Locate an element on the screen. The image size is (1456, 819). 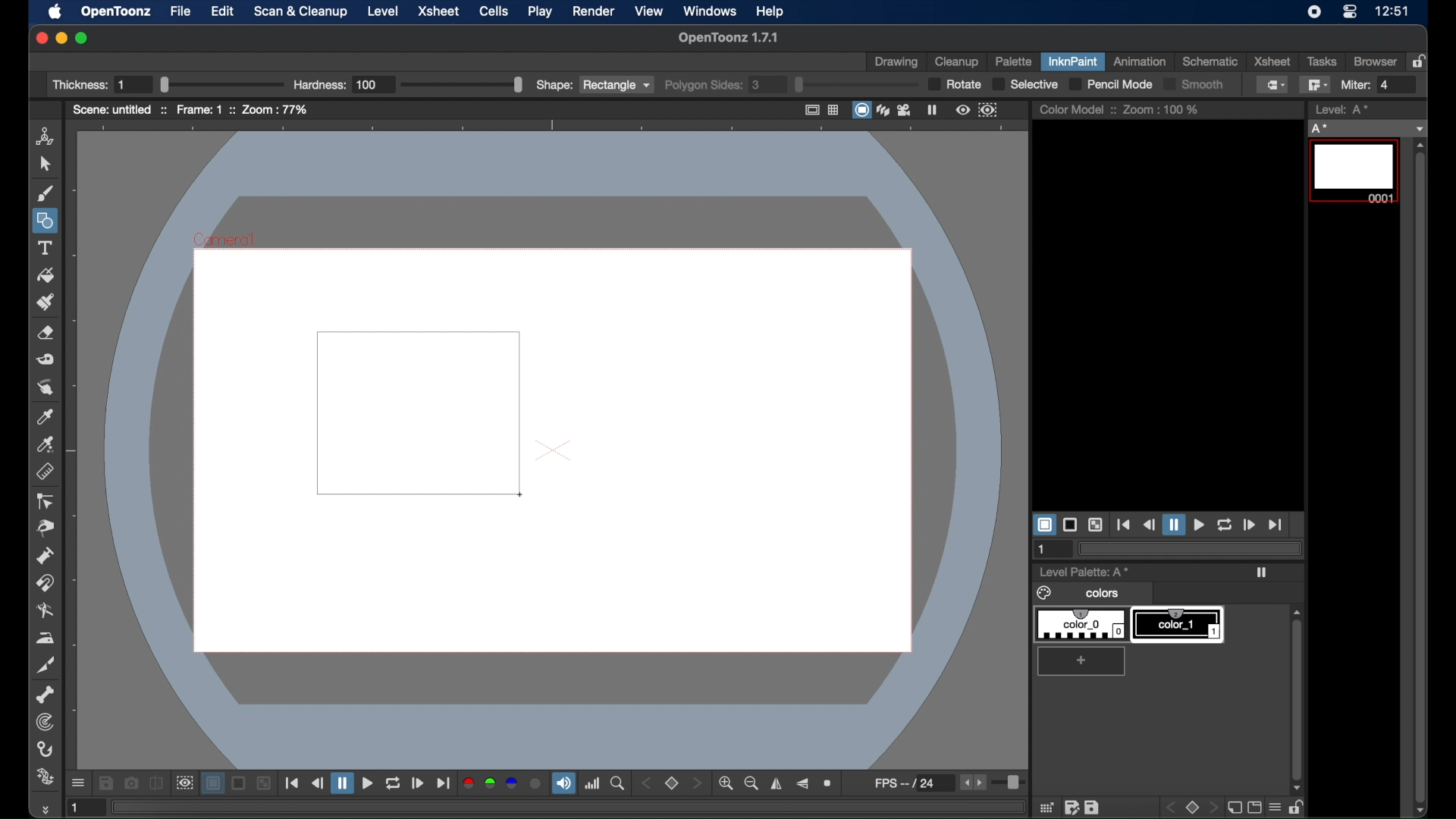
tasks is located at coordinates (1321, 61).